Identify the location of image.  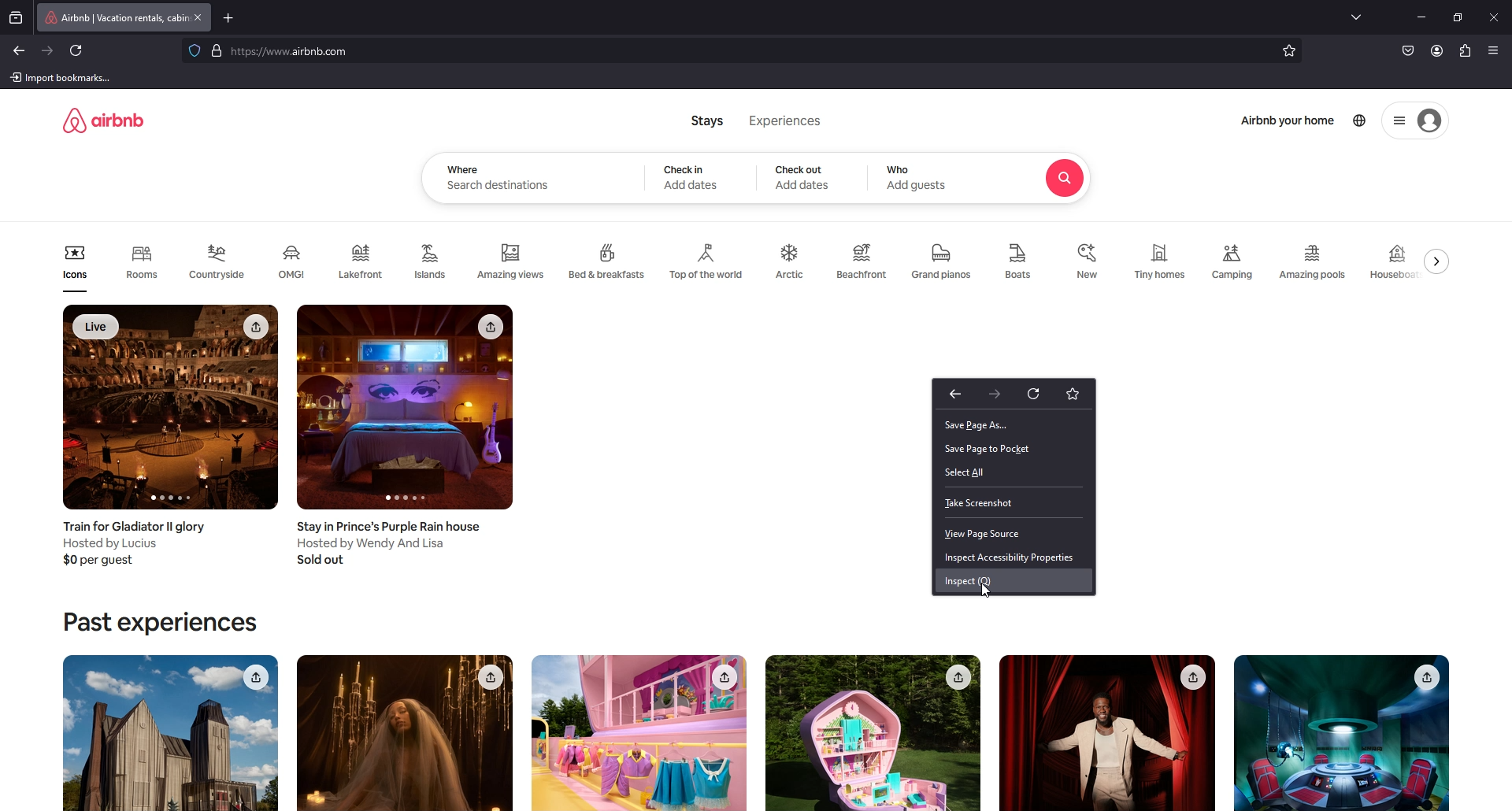
(1106, 733).